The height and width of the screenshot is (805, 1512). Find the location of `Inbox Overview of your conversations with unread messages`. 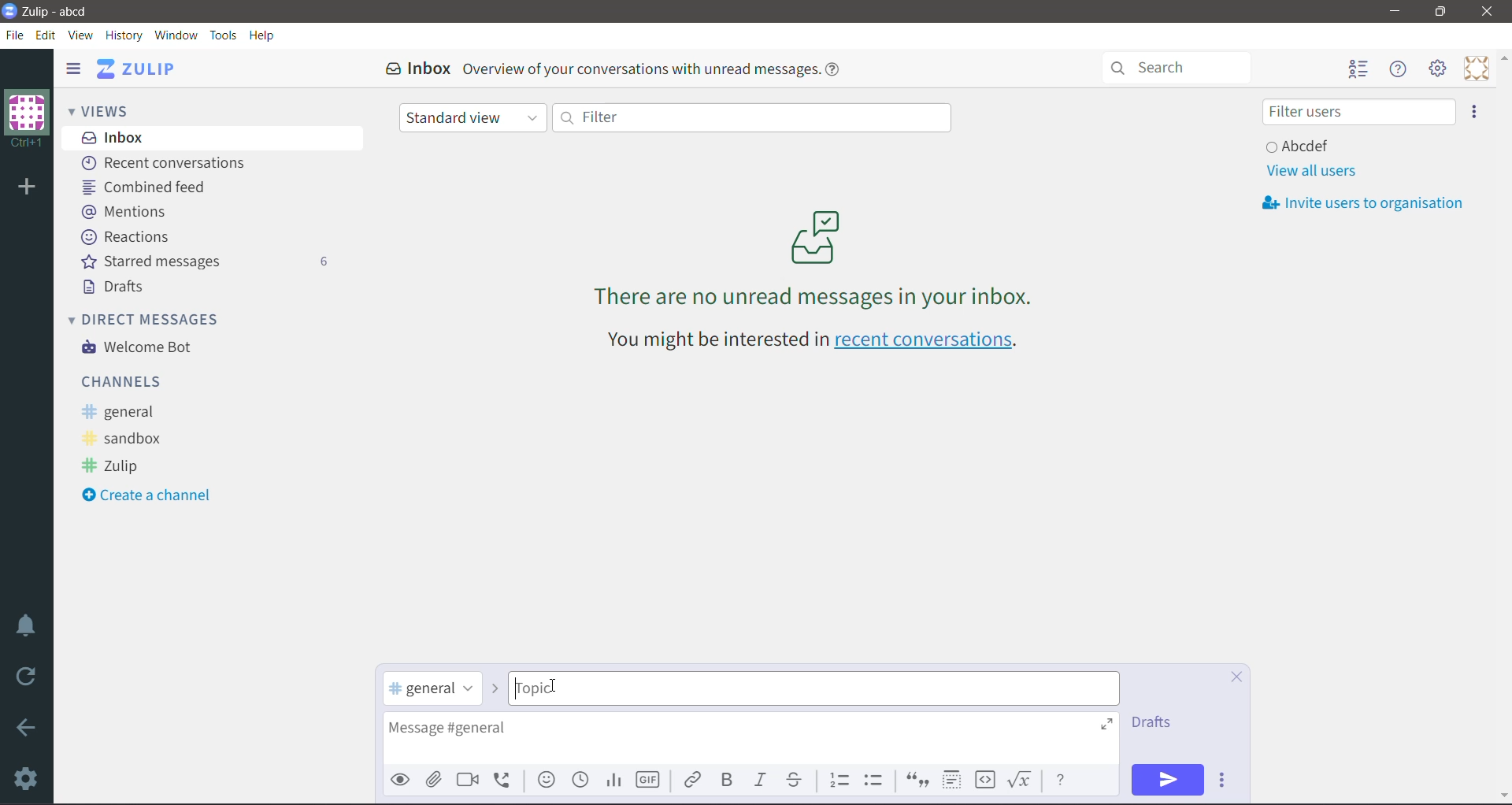

Inbox Overview of your conversations with unread messages is located at coordinates (618, 69).